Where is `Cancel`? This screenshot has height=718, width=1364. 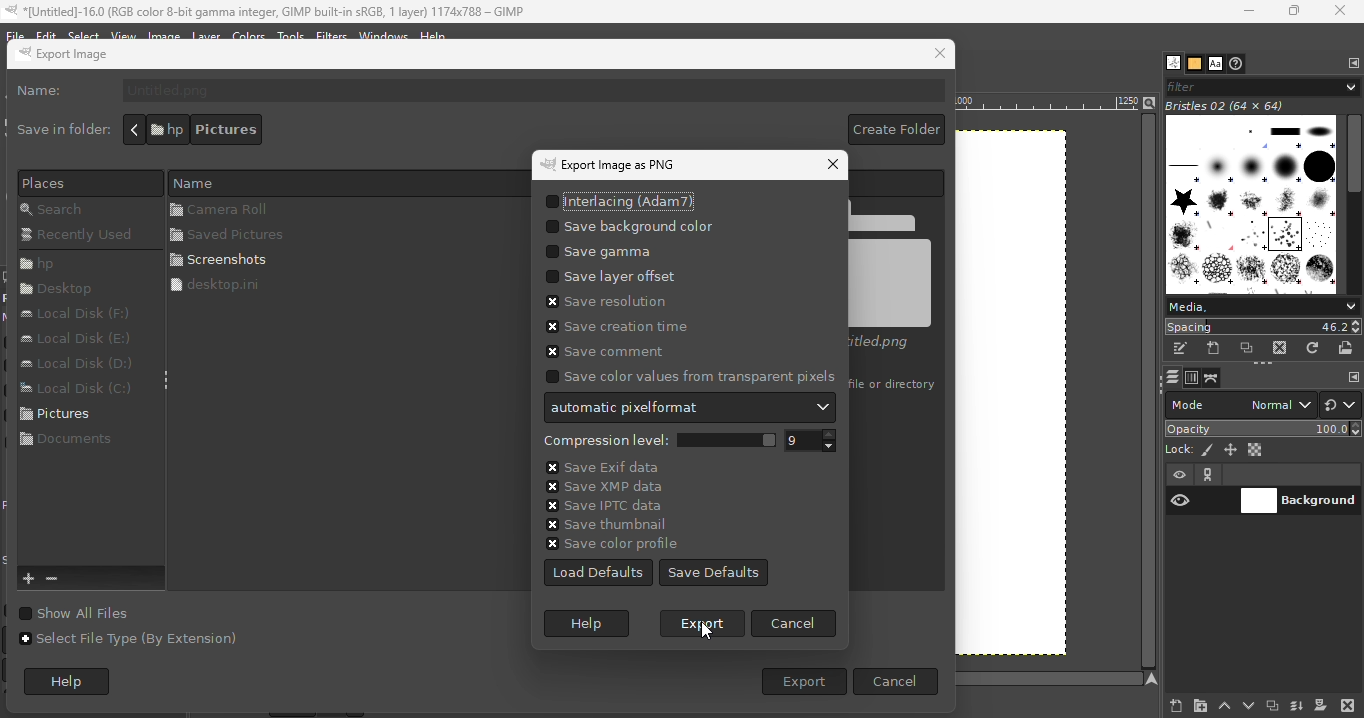 Cancel is located at coordinates (896, 681).